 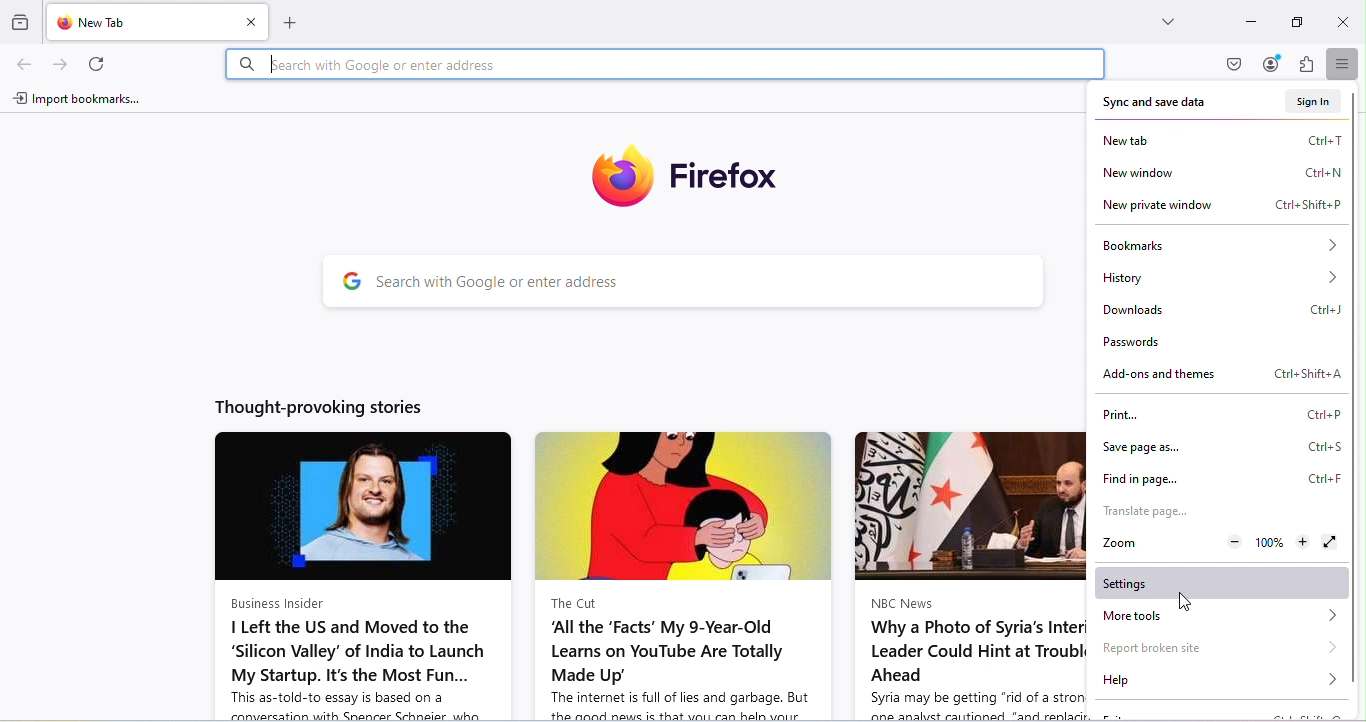 I want to click on Report broken site, so click(x=1221, y=648).